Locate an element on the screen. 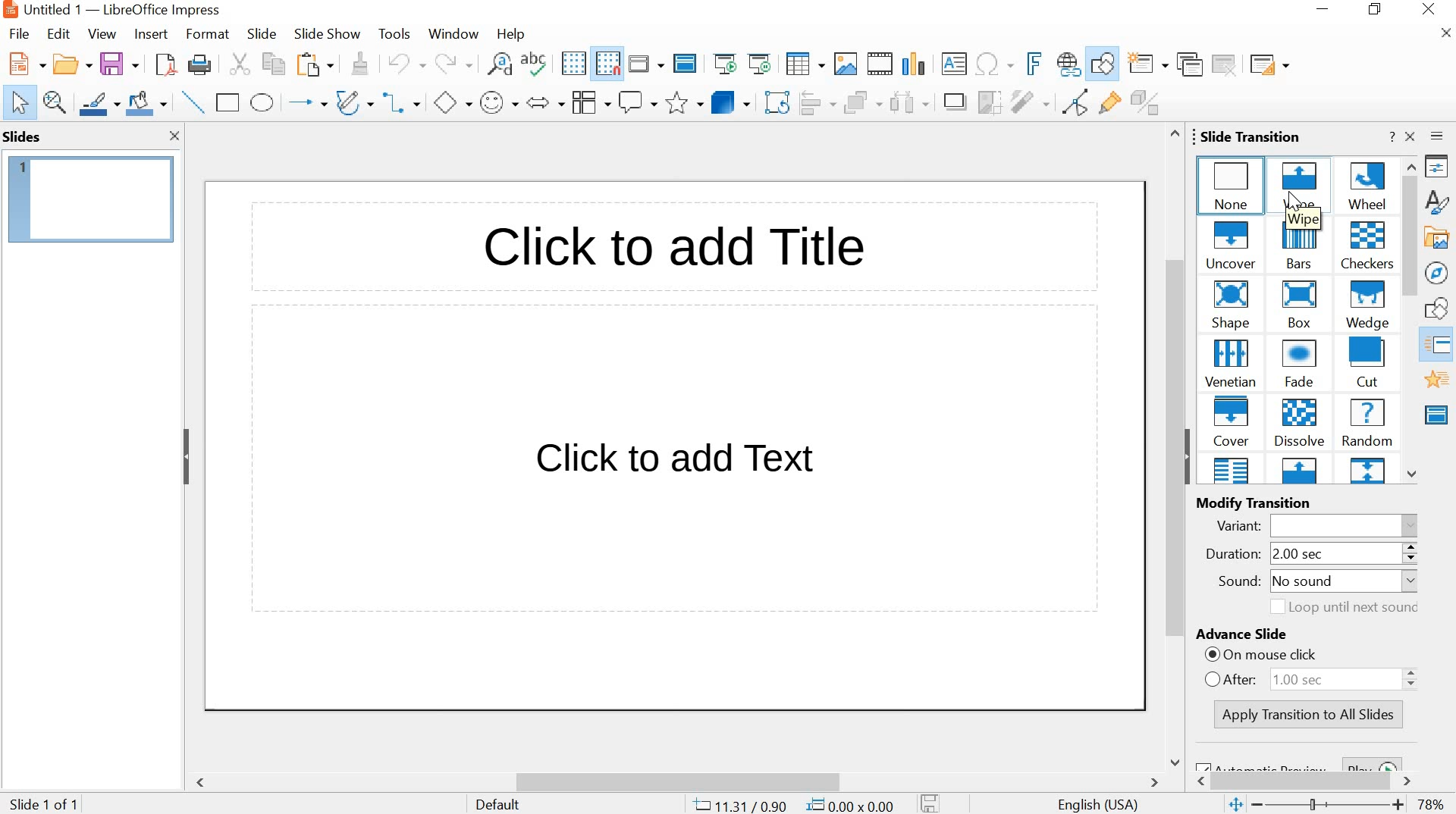 Image resolution: width=1456 pixels, height=814 pixels. SHAPE is located at coordinates (1233, 305).